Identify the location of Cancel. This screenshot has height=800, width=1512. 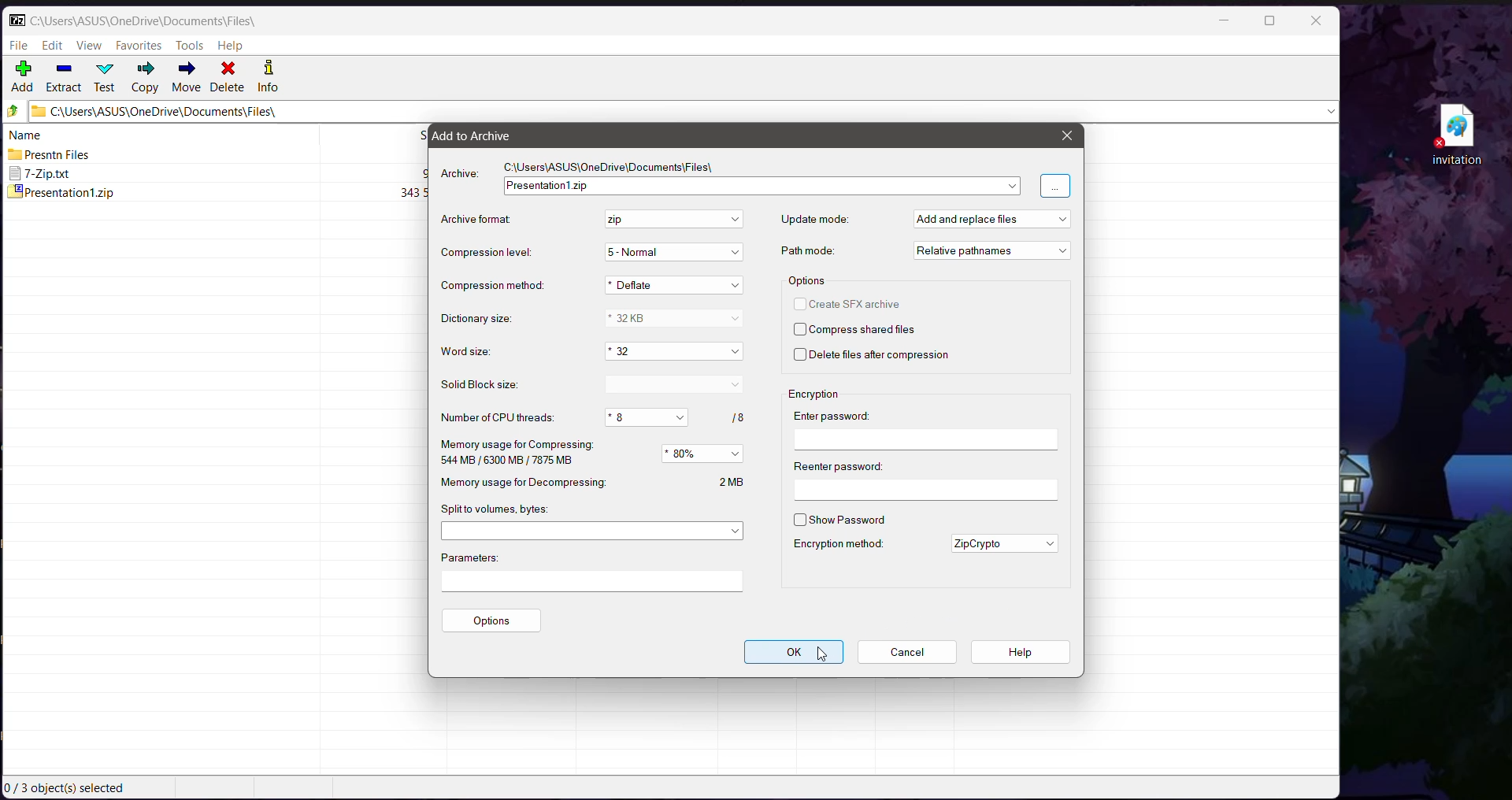
(906, 652).